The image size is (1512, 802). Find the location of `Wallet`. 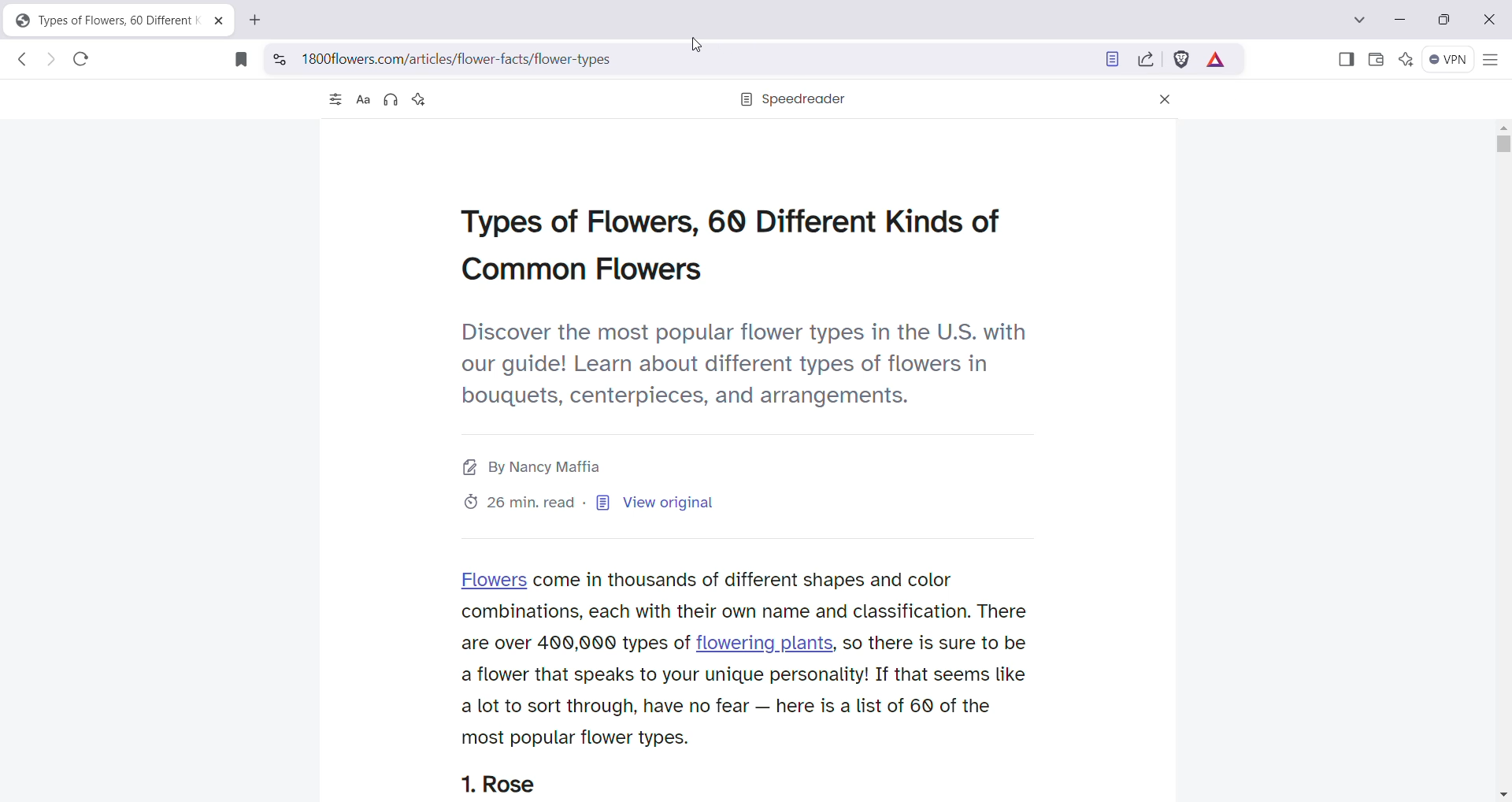

Wallet is located at coordinates (1375, 60).